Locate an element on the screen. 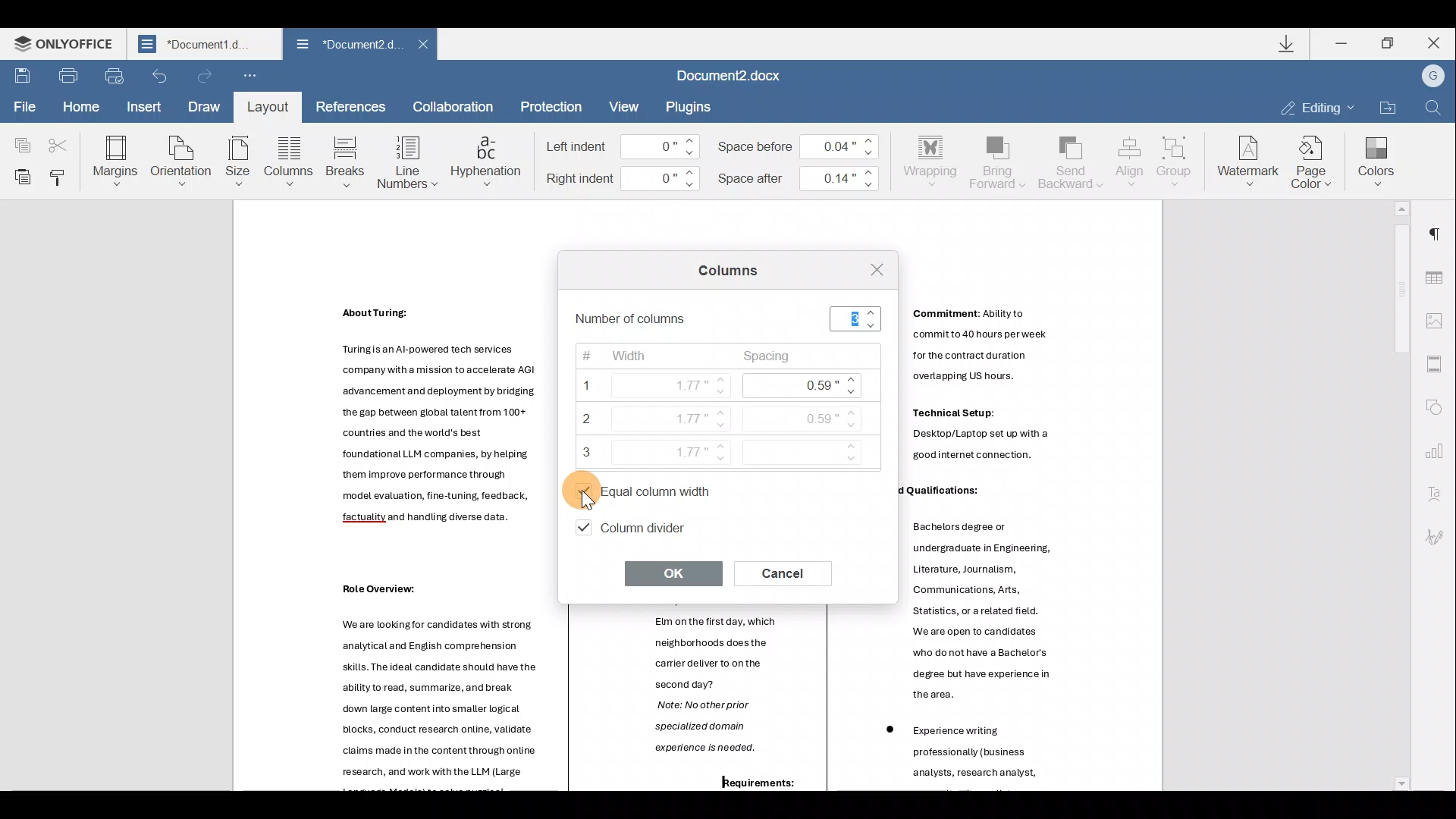 The height and width of the screenshot is (819, 1456). Size is located at coordinates (238, 162).